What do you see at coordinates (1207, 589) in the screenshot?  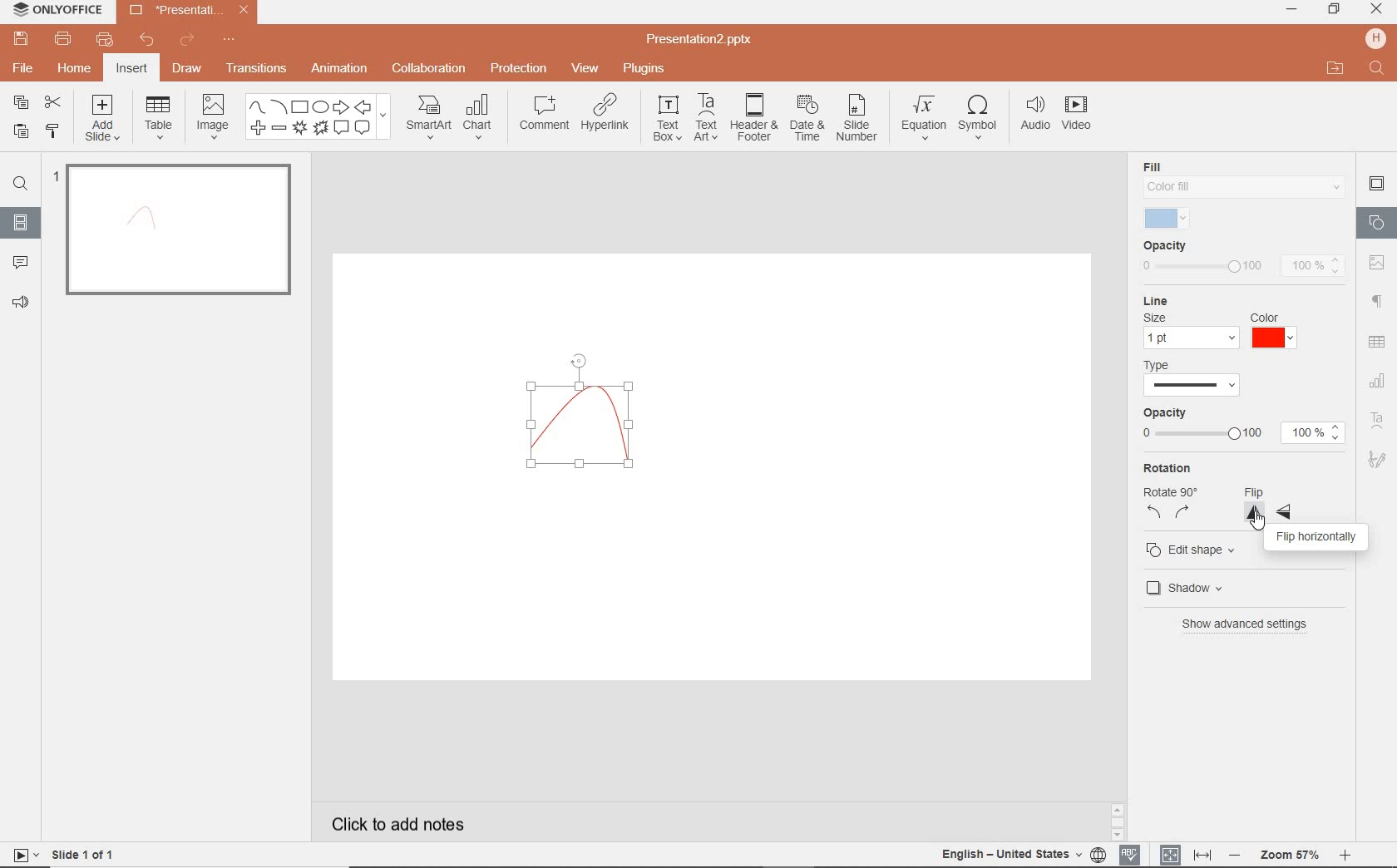 I see `shadow` at bounding box center [1207, 589].